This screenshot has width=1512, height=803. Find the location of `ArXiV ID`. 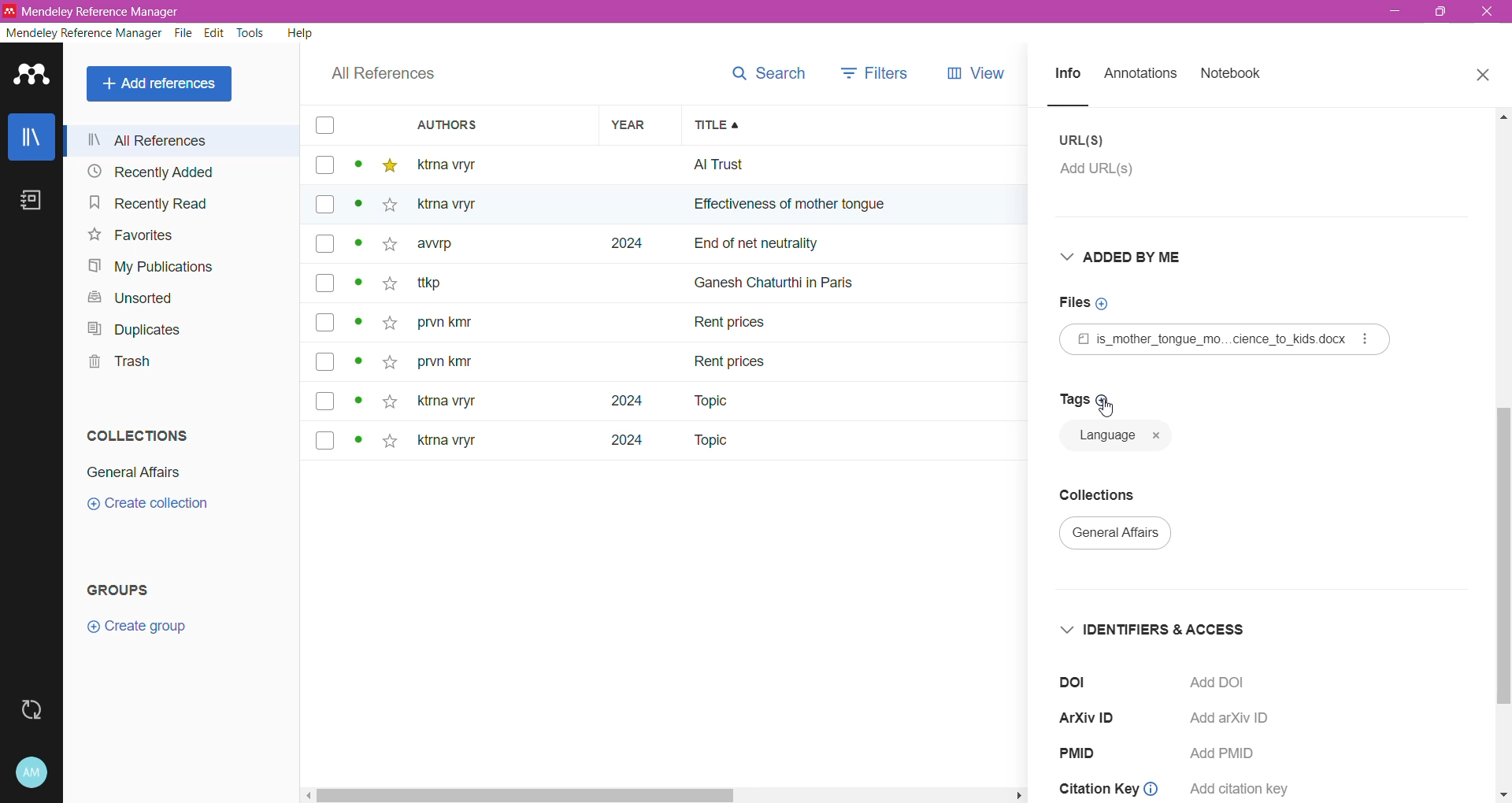

ArXiV ID is located at coordinates (1092, 714).